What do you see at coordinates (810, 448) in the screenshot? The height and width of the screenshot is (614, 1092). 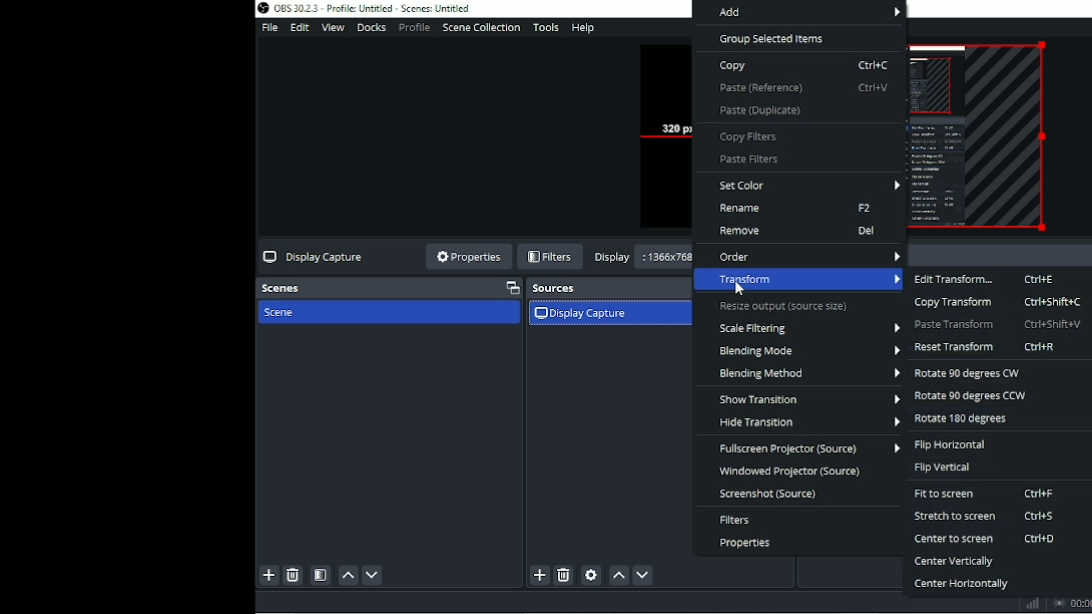 I see `Fullscreen projector` at bounding box center [810, 448].